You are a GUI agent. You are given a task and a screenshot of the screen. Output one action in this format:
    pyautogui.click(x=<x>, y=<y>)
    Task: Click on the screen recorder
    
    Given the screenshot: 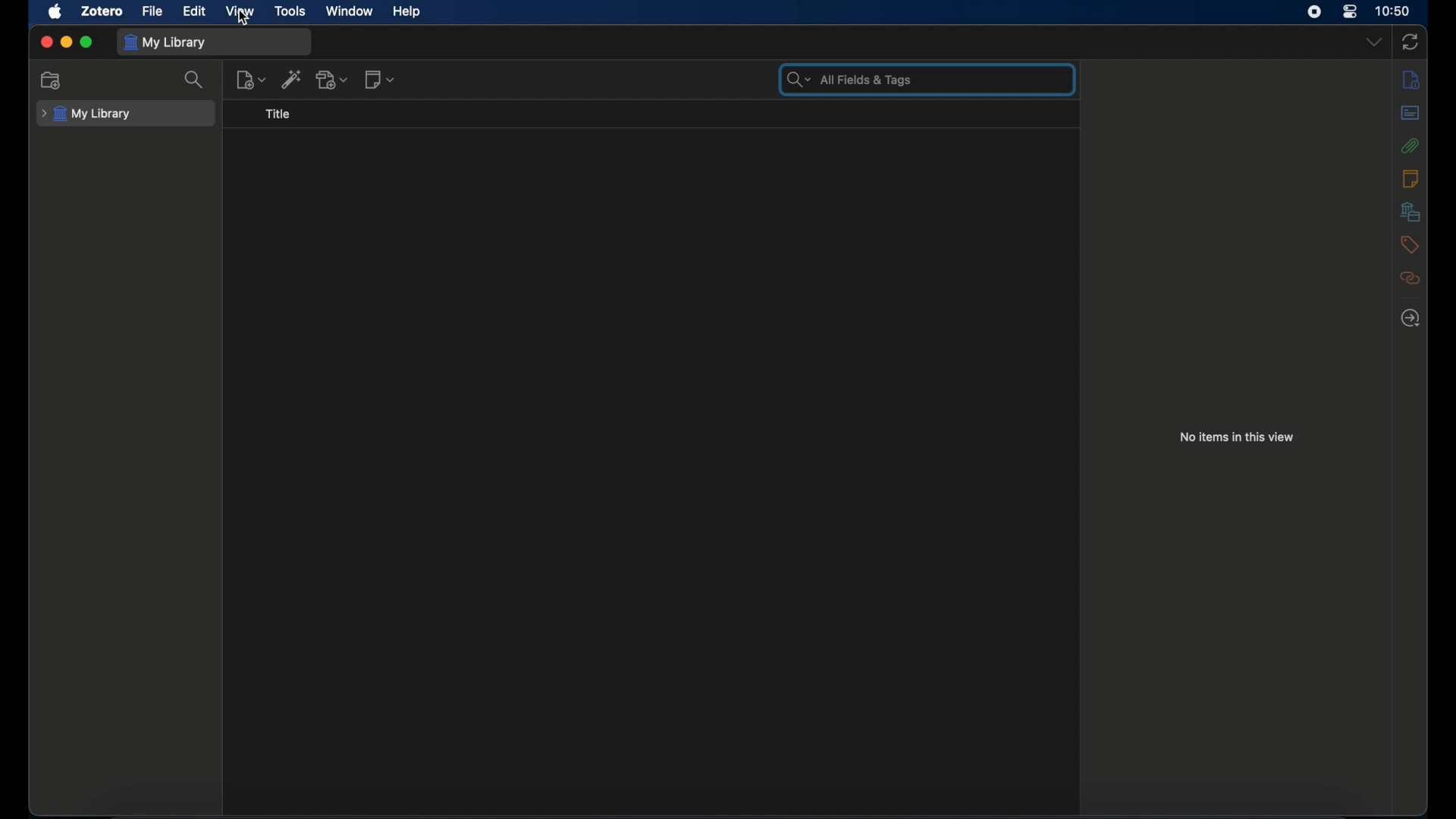 What is the action you would take?
    pyautogui.click(x=1313, y=12)
    